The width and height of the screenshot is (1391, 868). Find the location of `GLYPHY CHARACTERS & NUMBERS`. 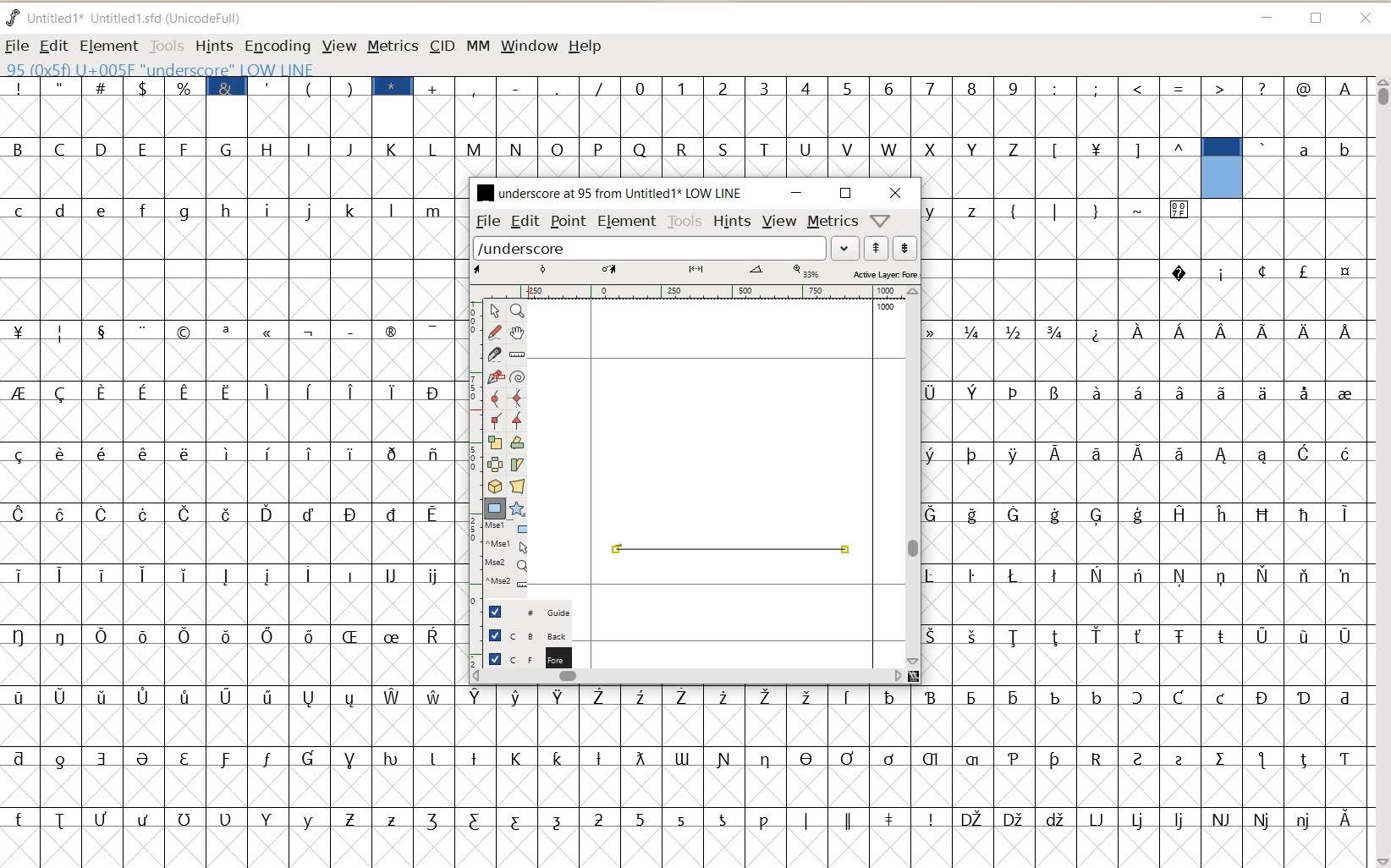

GLYPHY CHARACTERS & NUMBERS is located at coordinates (688, 767).